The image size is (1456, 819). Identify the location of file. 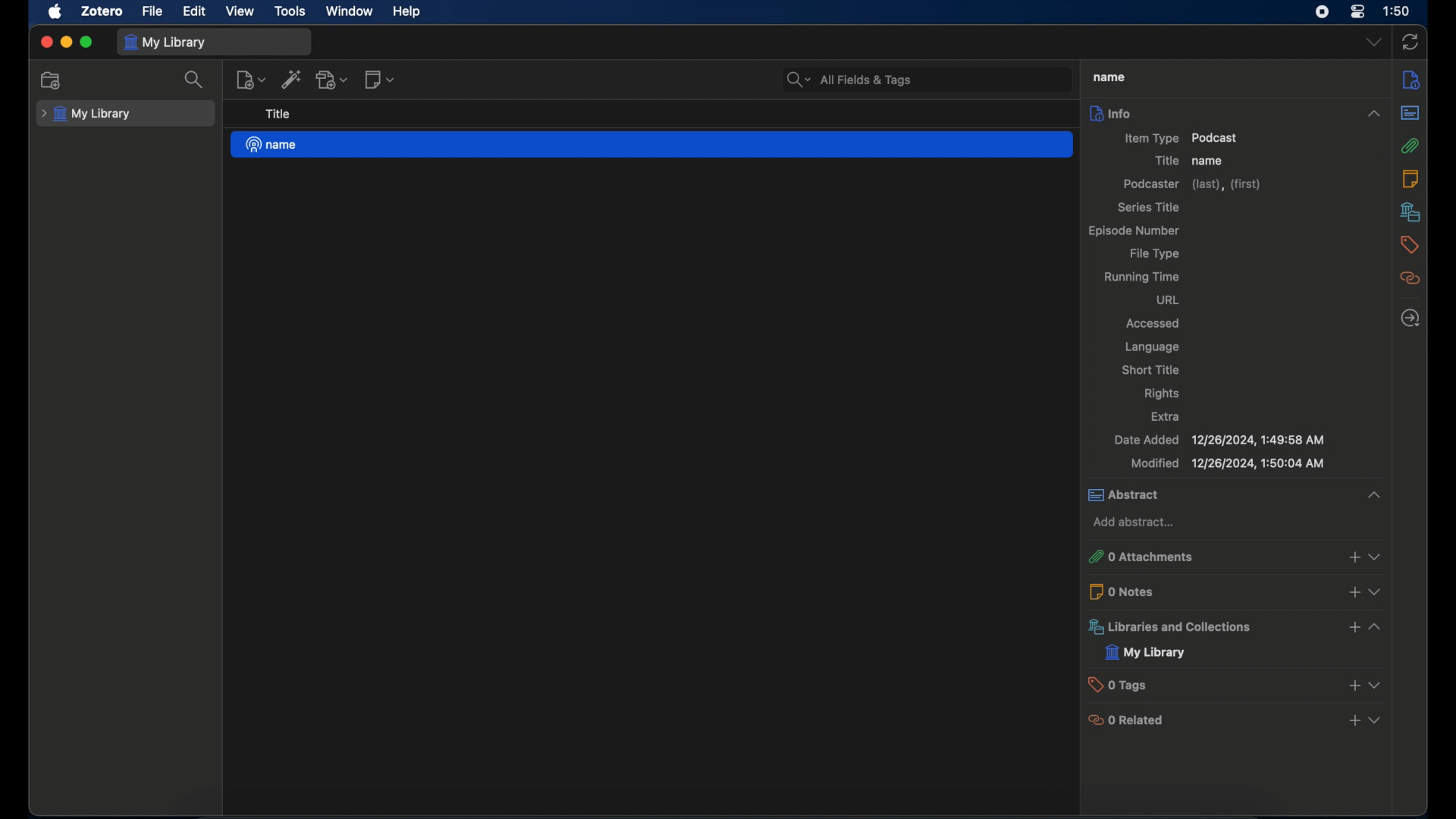
(153, 12).